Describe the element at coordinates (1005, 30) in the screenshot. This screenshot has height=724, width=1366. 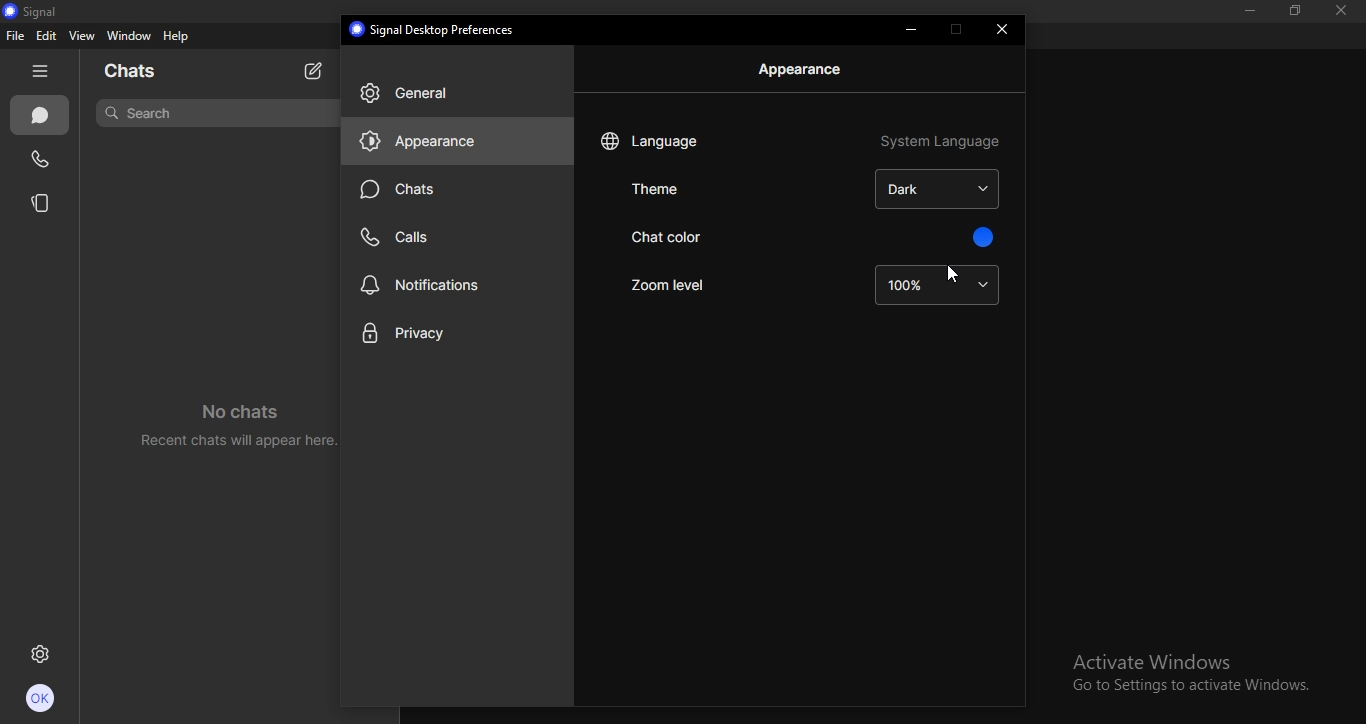
I see `close` at that location.